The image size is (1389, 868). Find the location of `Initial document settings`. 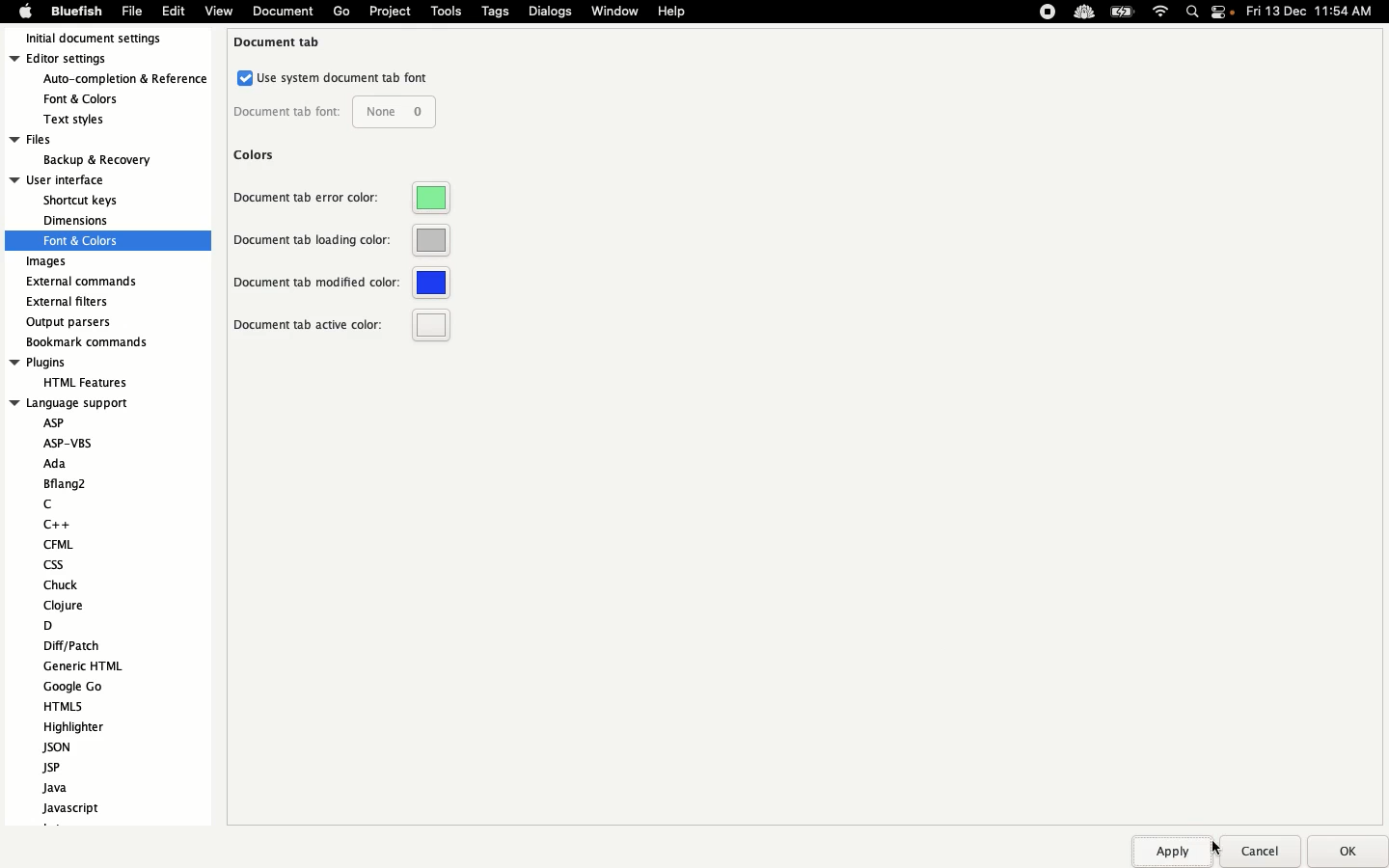

Initial document settings is located at coordinates (102, 40).